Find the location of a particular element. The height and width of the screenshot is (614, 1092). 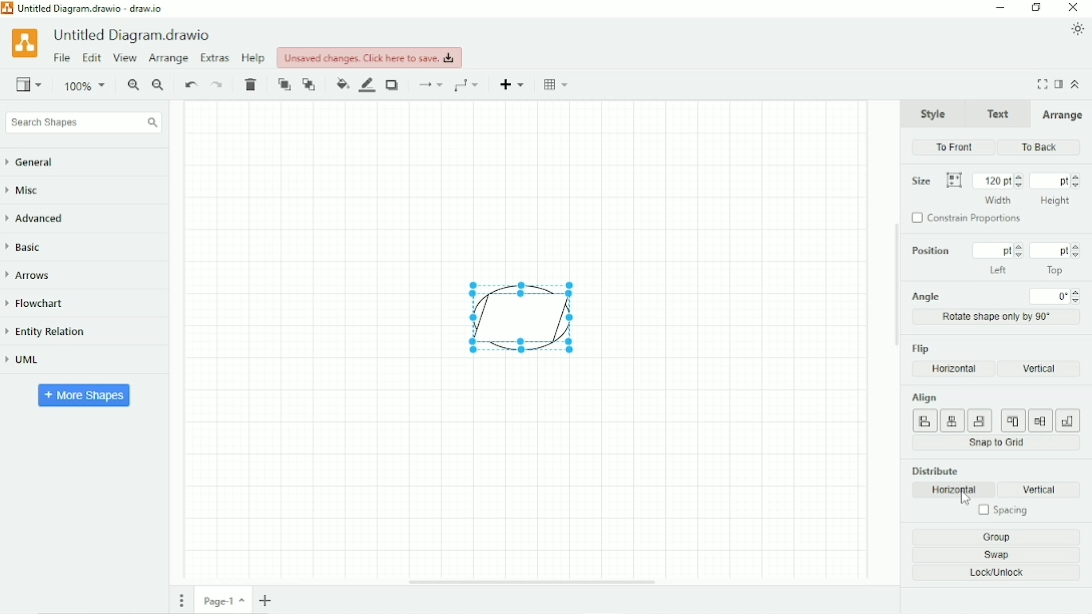

Horizontal is located at coordinates (955, 369).